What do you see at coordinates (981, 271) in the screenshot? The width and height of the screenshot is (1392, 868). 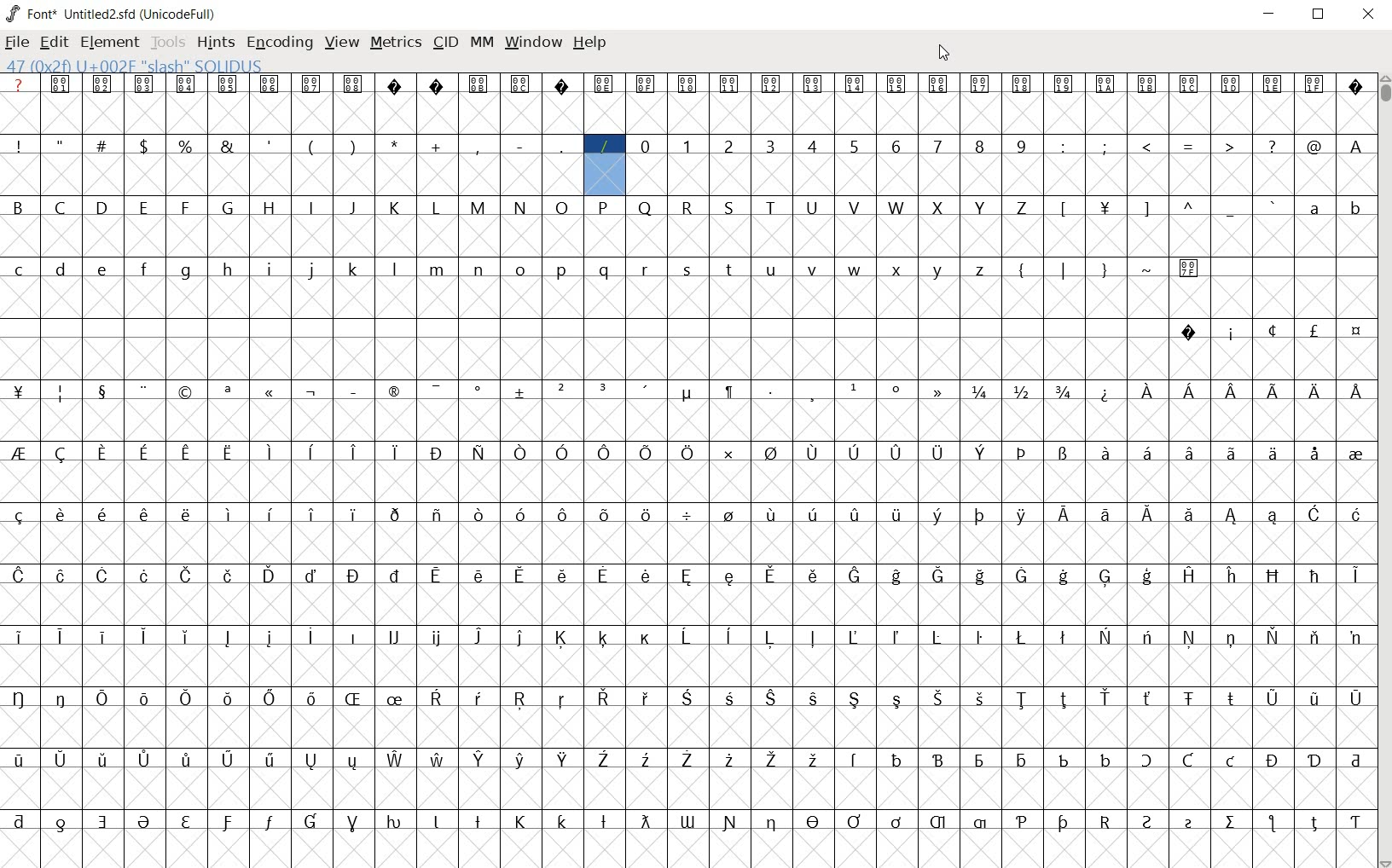 I see `glyph` at bounding box center [981, 271].